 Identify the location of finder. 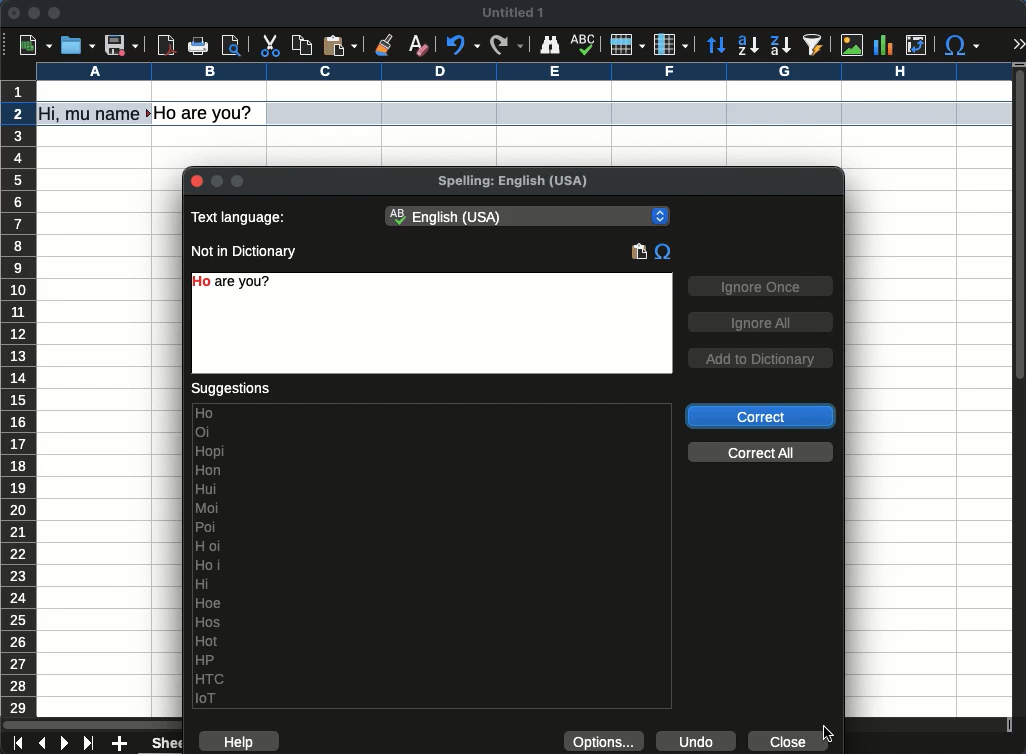
(550, 46).